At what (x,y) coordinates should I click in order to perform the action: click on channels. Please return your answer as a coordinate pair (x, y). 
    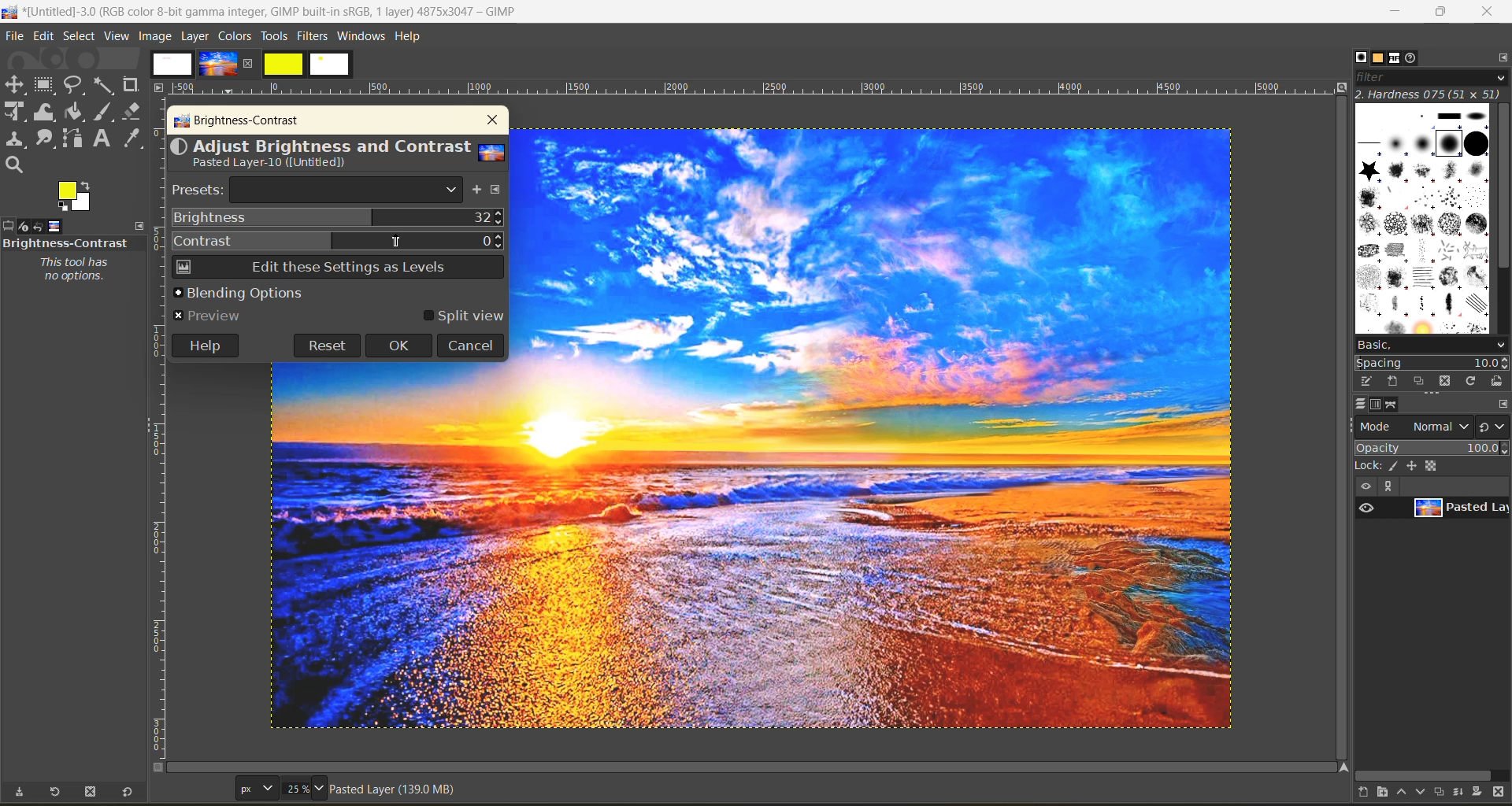
    Looking at the image, I should click on (1376, 405).